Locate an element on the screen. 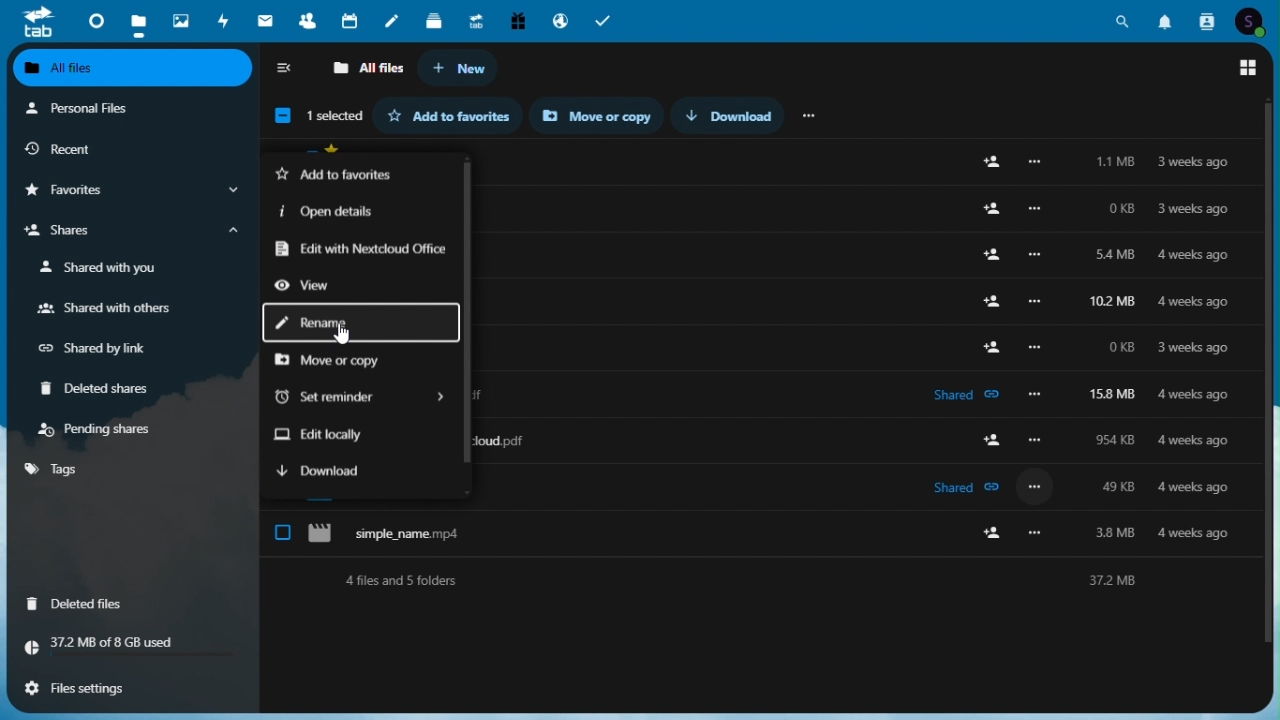 Image resolution: width=1280 pixels, height=720 pixels. download 49Kb 4 weeks ago is located at coordinates (755, 478).